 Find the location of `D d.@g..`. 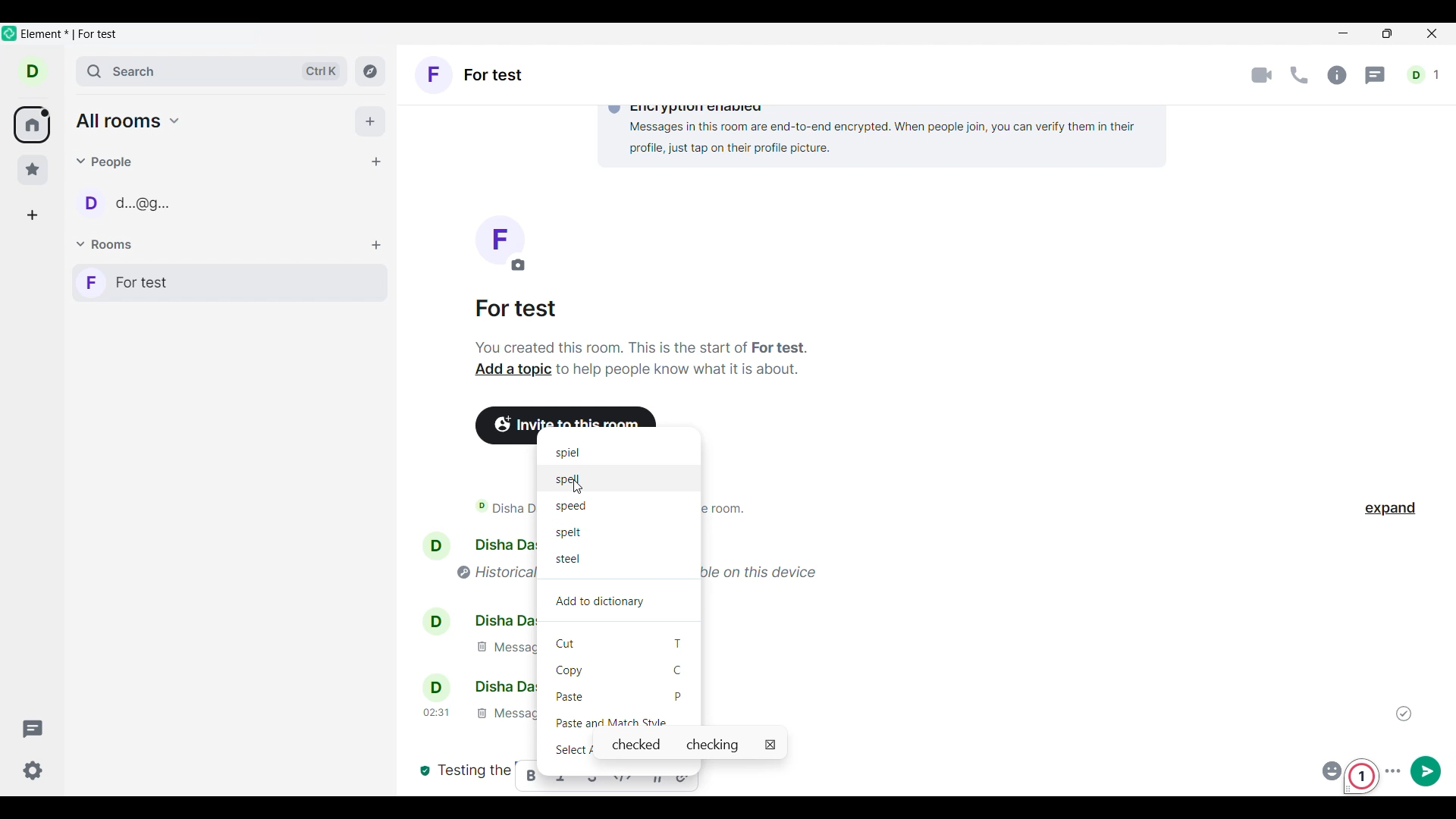

D d.@g.. is located at coordinates (137, 209).